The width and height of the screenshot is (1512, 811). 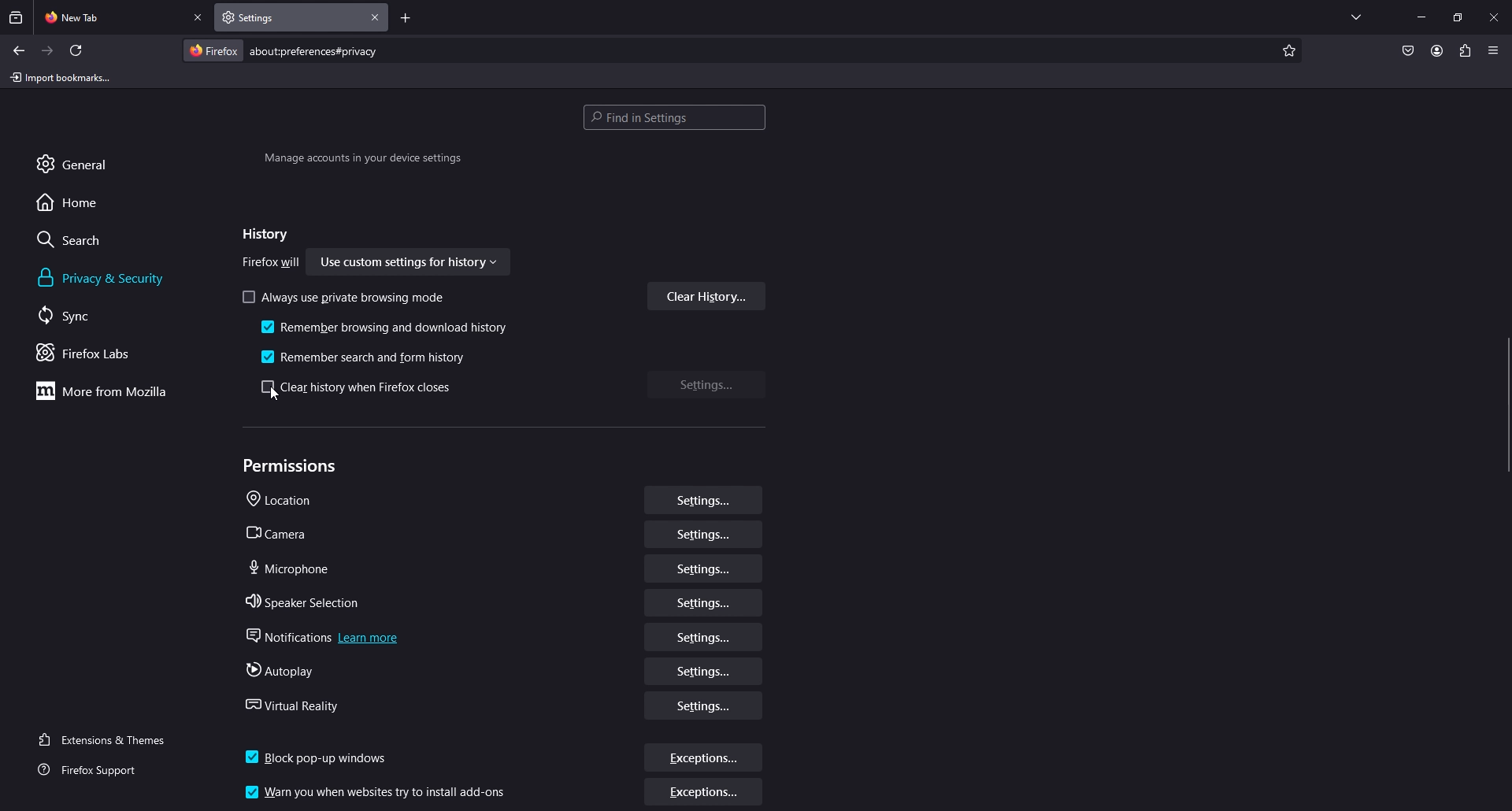 What do you see at coordinates (387, 329) in the screenshot?
I see `remember browsing and download history` at bounding box center [387, 329].